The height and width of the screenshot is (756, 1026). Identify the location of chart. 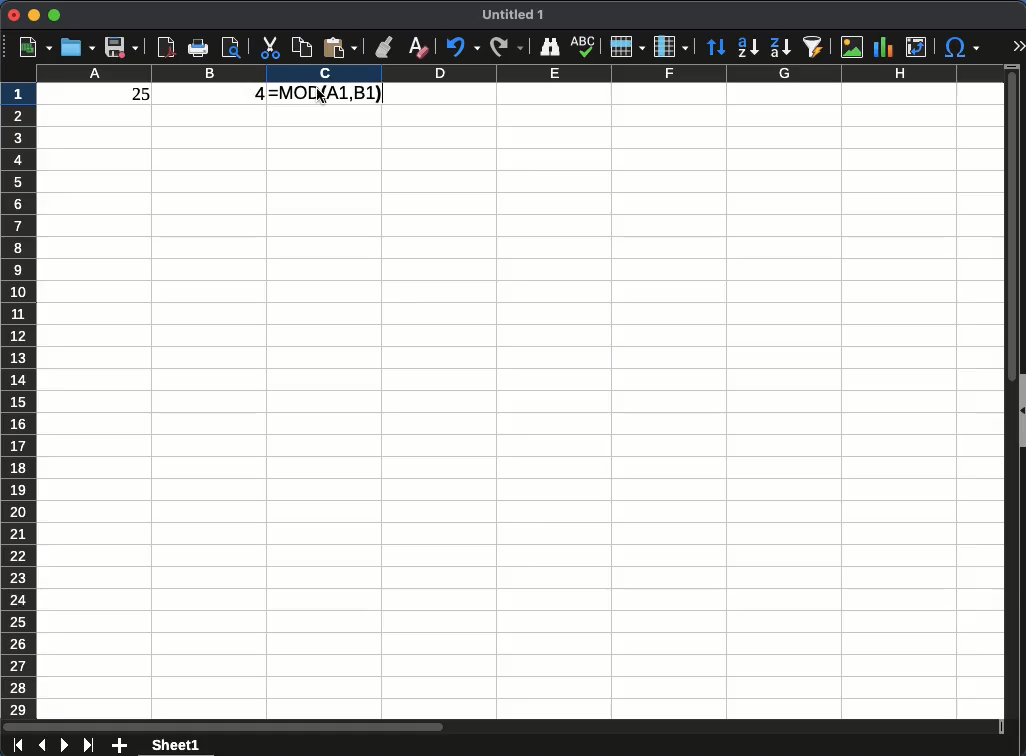
(883, 47).